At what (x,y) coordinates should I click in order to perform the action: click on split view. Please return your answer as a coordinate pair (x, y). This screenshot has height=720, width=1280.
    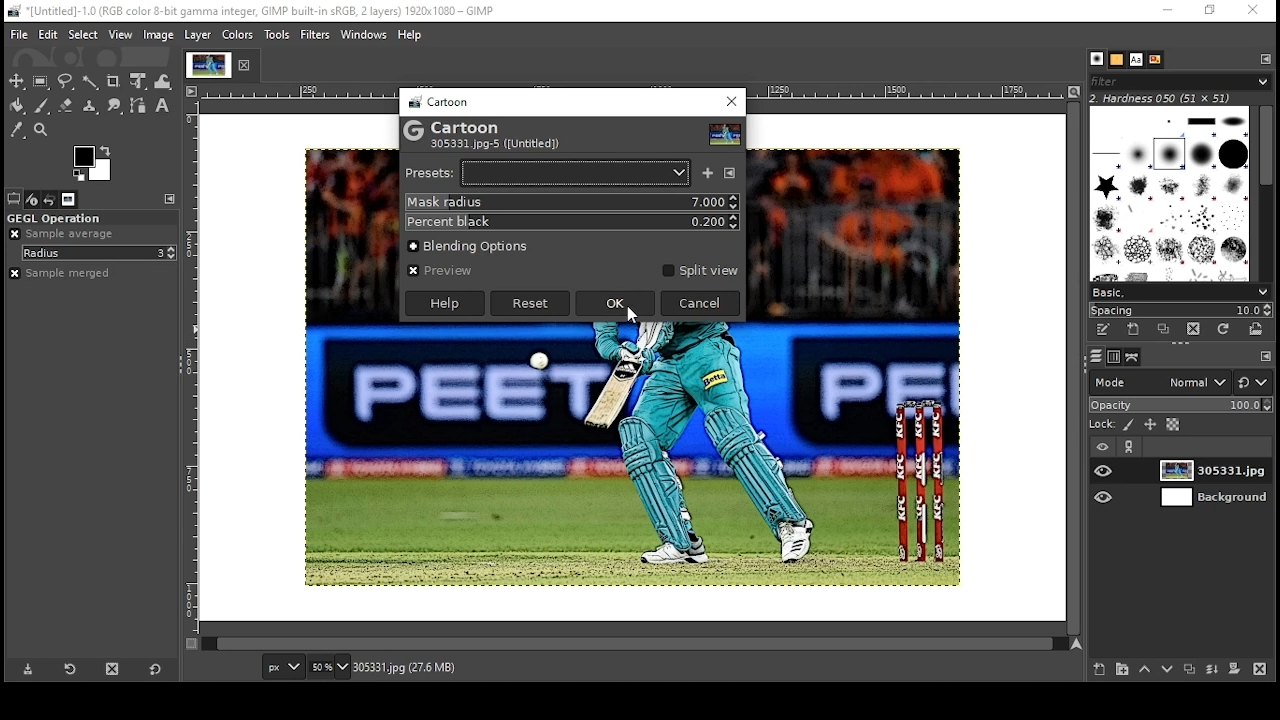
    Looking at the image, I should click on (700, 271).